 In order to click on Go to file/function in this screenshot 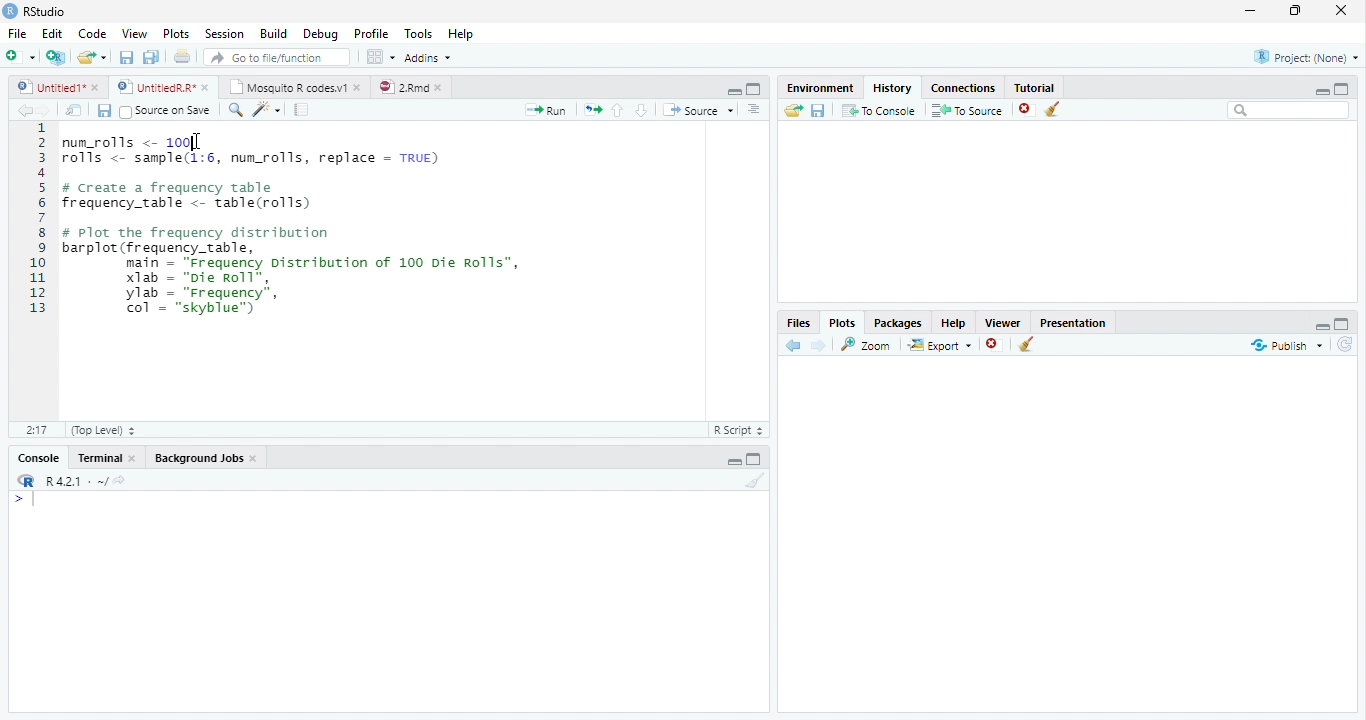, I will do `click(275, 57)`.